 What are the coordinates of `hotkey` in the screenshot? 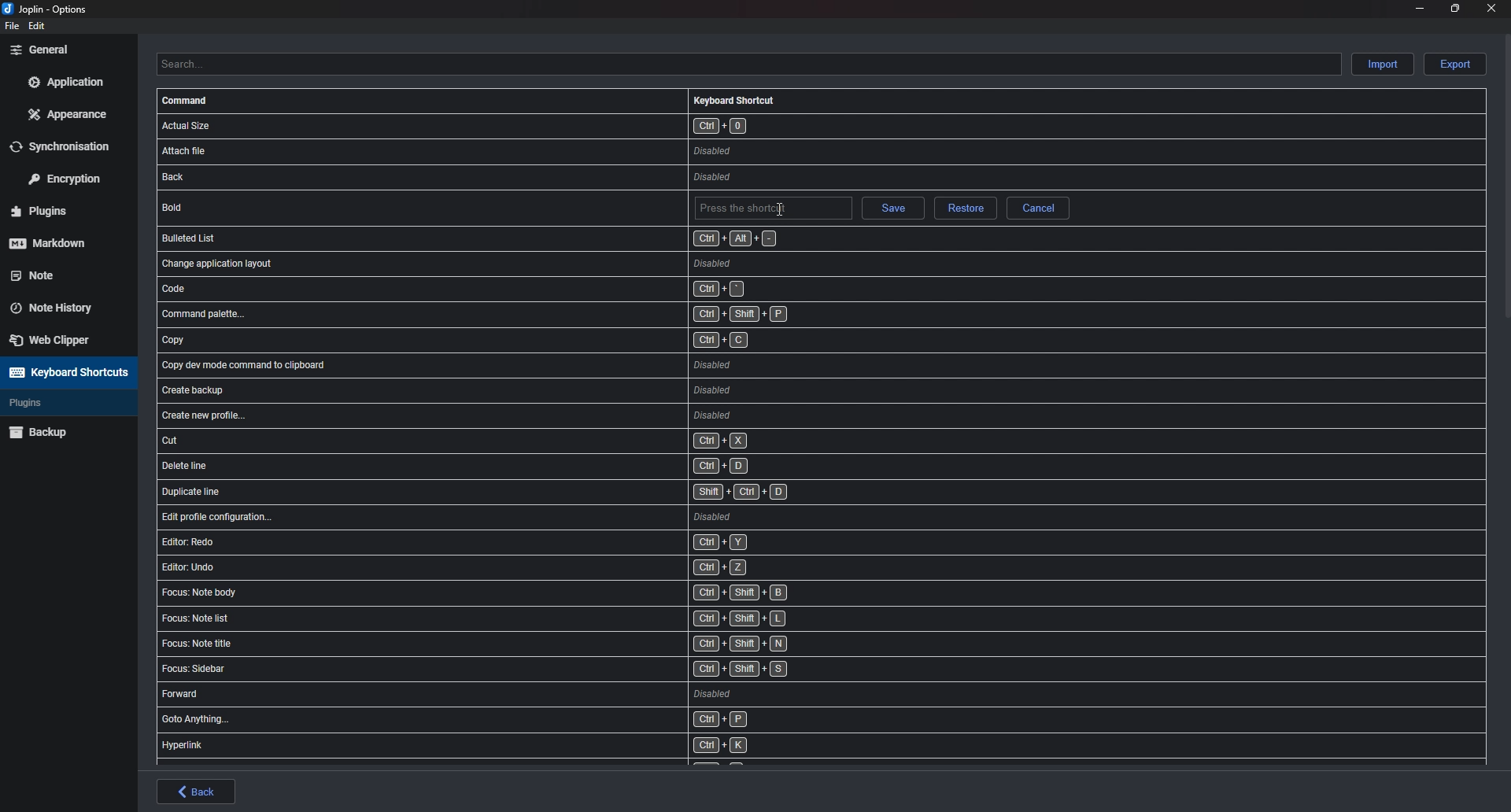 It's located at (772, 209).